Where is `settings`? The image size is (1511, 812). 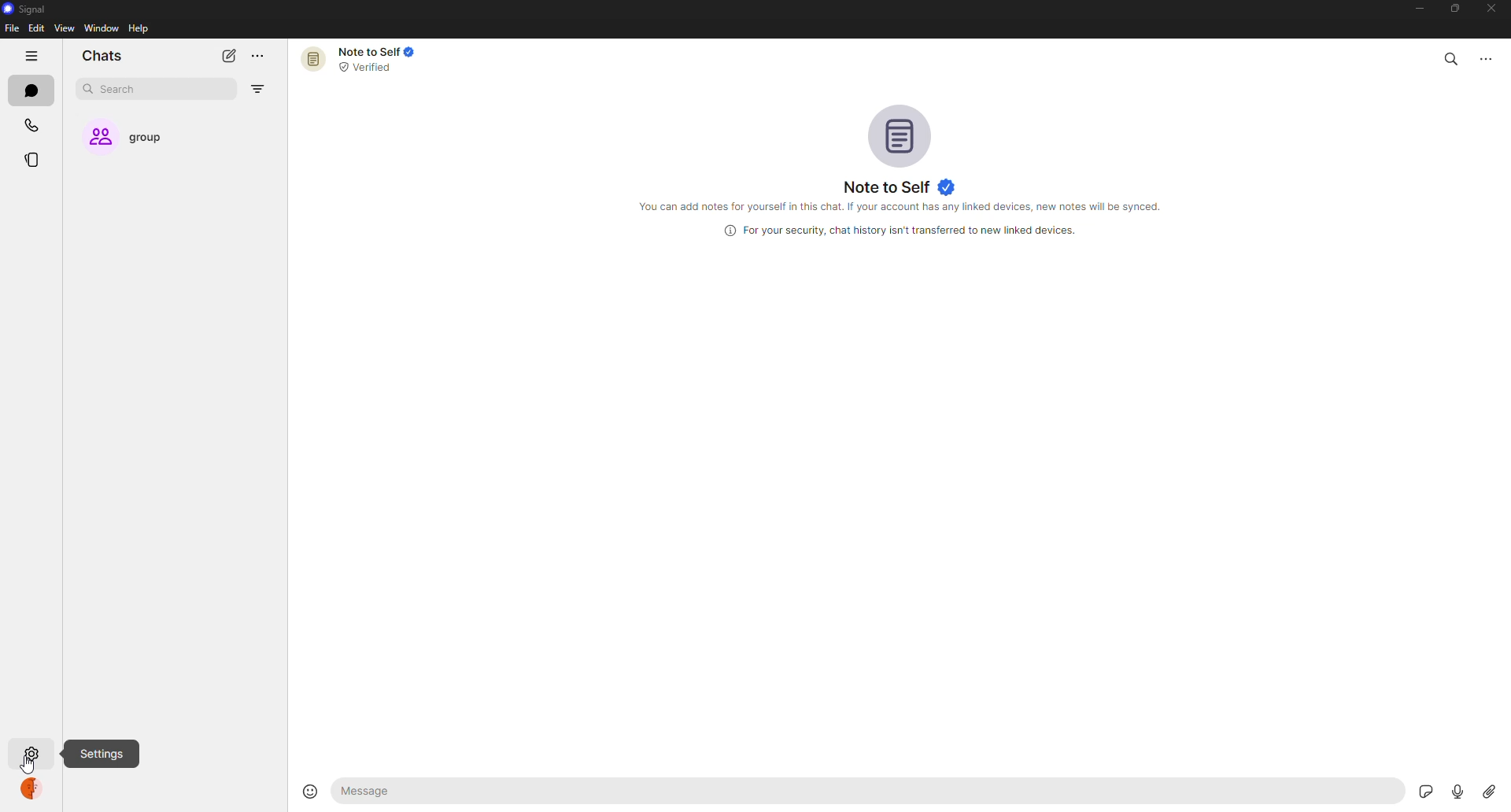 settings is located at coordinates (104, 754).